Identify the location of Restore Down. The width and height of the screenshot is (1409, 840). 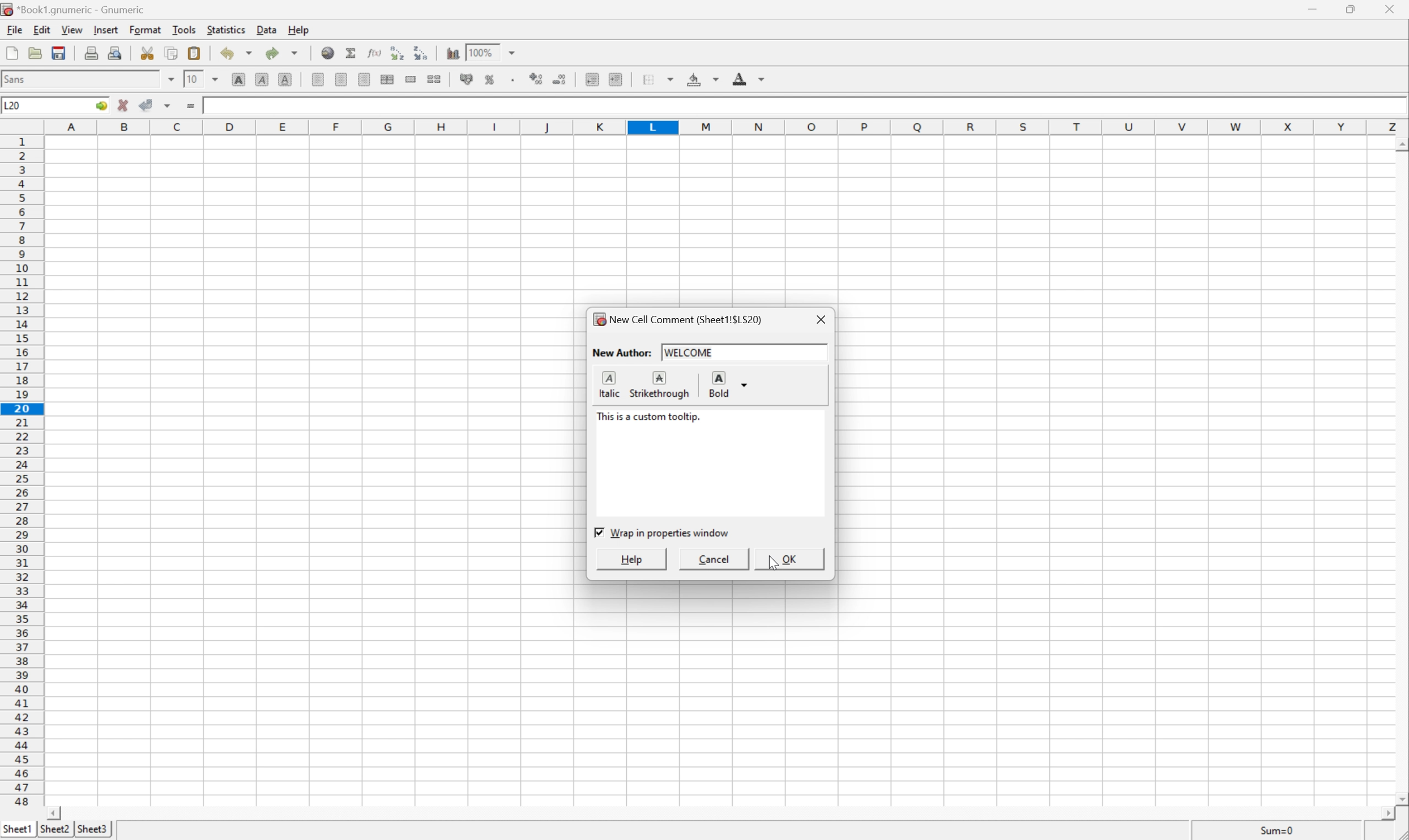
(1347, 10).